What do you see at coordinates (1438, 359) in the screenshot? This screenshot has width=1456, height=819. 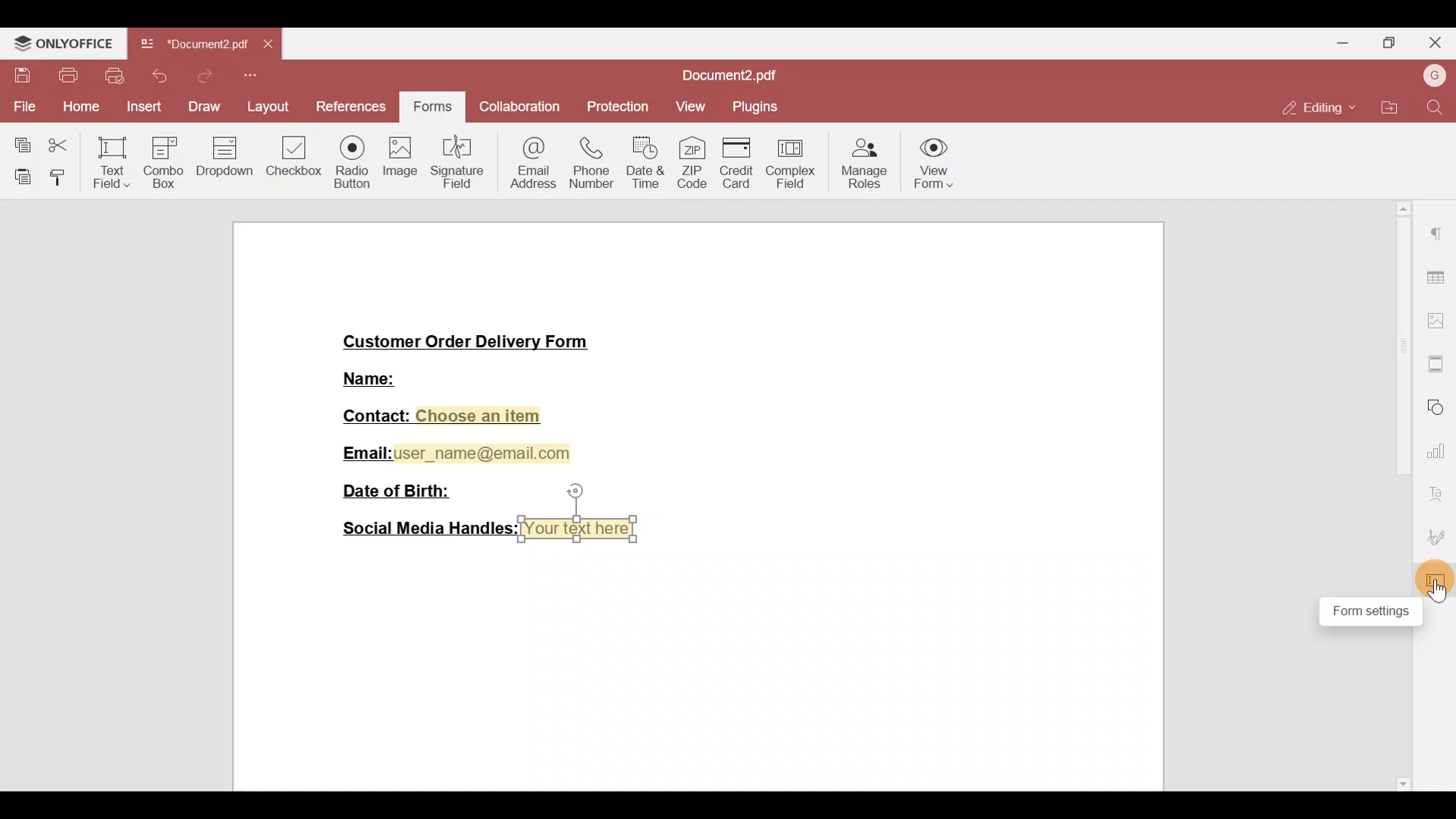 I see `More settings` at bounding box center [1438, 359].